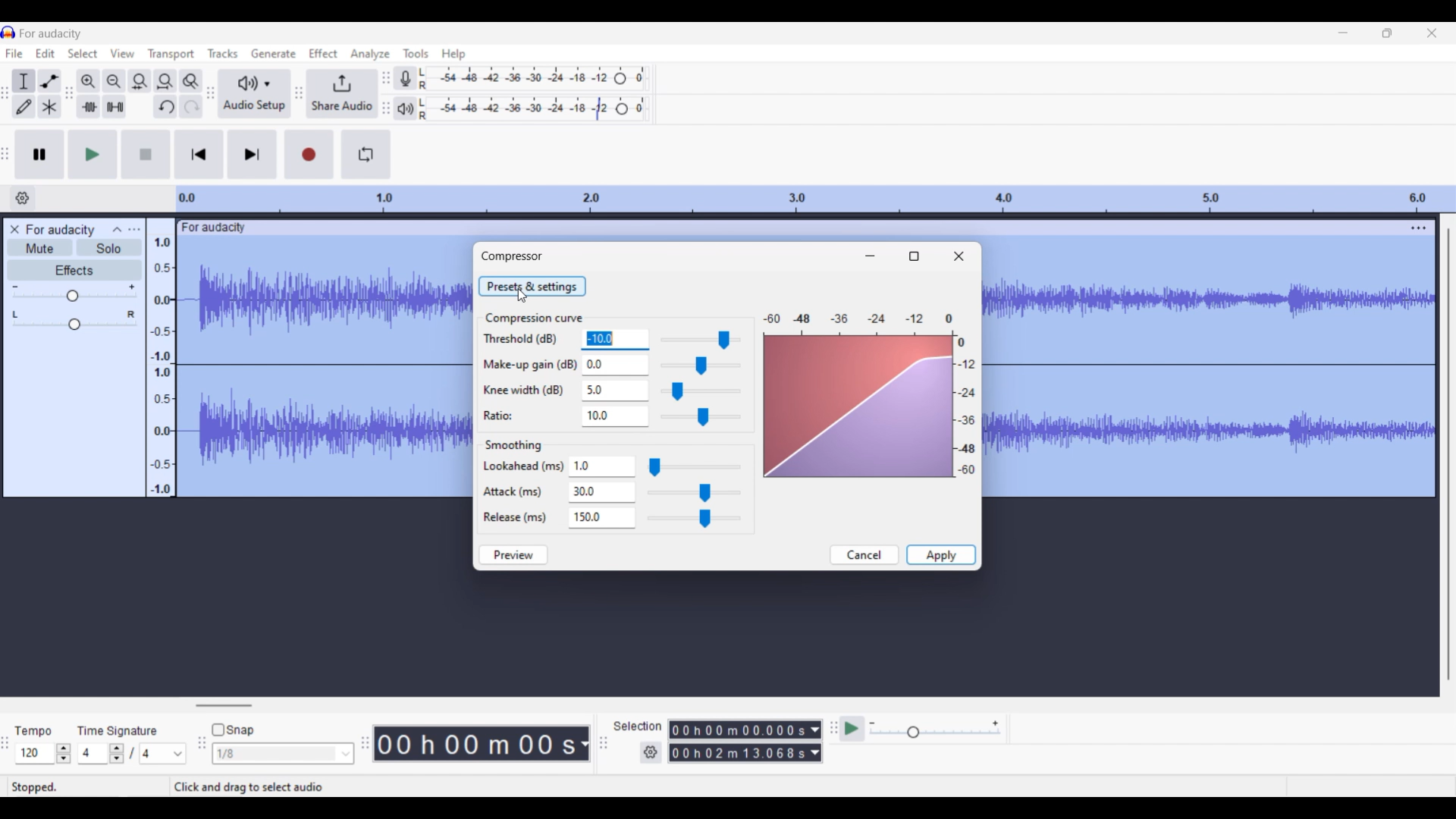 This screenshot has width=1456, height=819. What do you see at coordinates (49, 106) in the screenshot?
I see `Multi tool` at bounding box center [49, 106].